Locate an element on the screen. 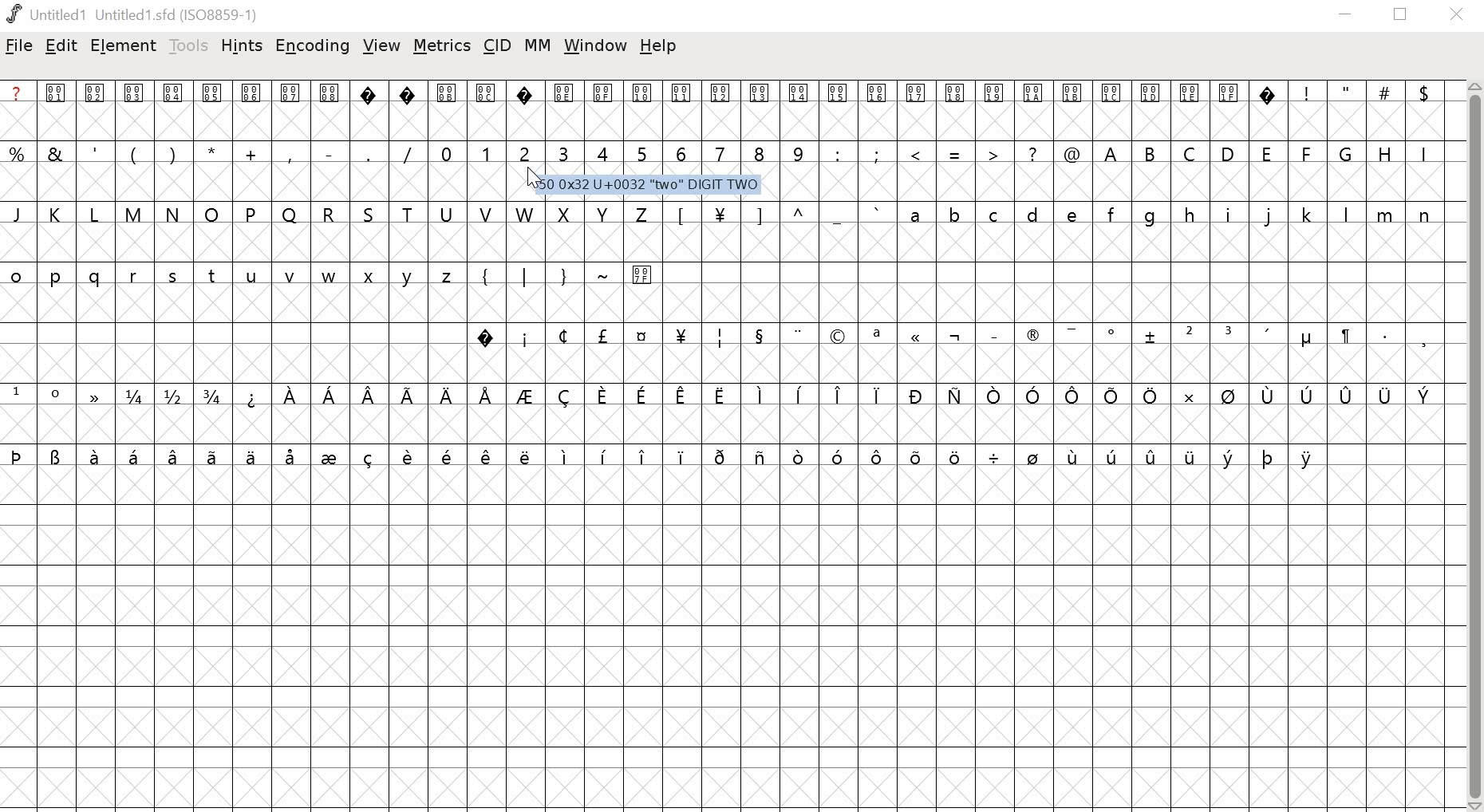 Image resolution: width=1484 pixels, height=812 pixels. tools is located at coordinates (189, 46).